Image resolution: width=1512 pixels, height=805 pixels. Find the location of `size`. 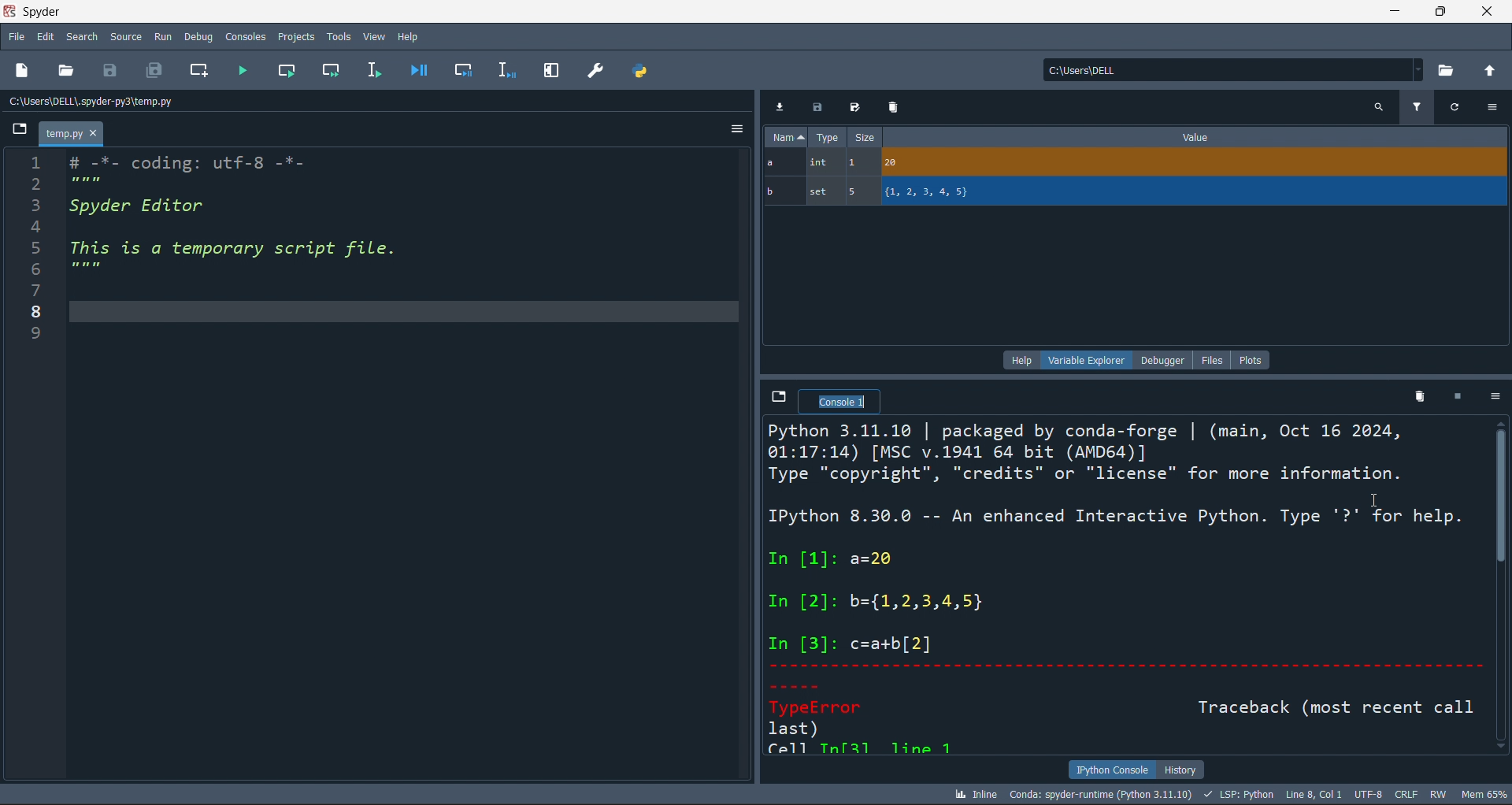

size is located at coordinates (864, 138).